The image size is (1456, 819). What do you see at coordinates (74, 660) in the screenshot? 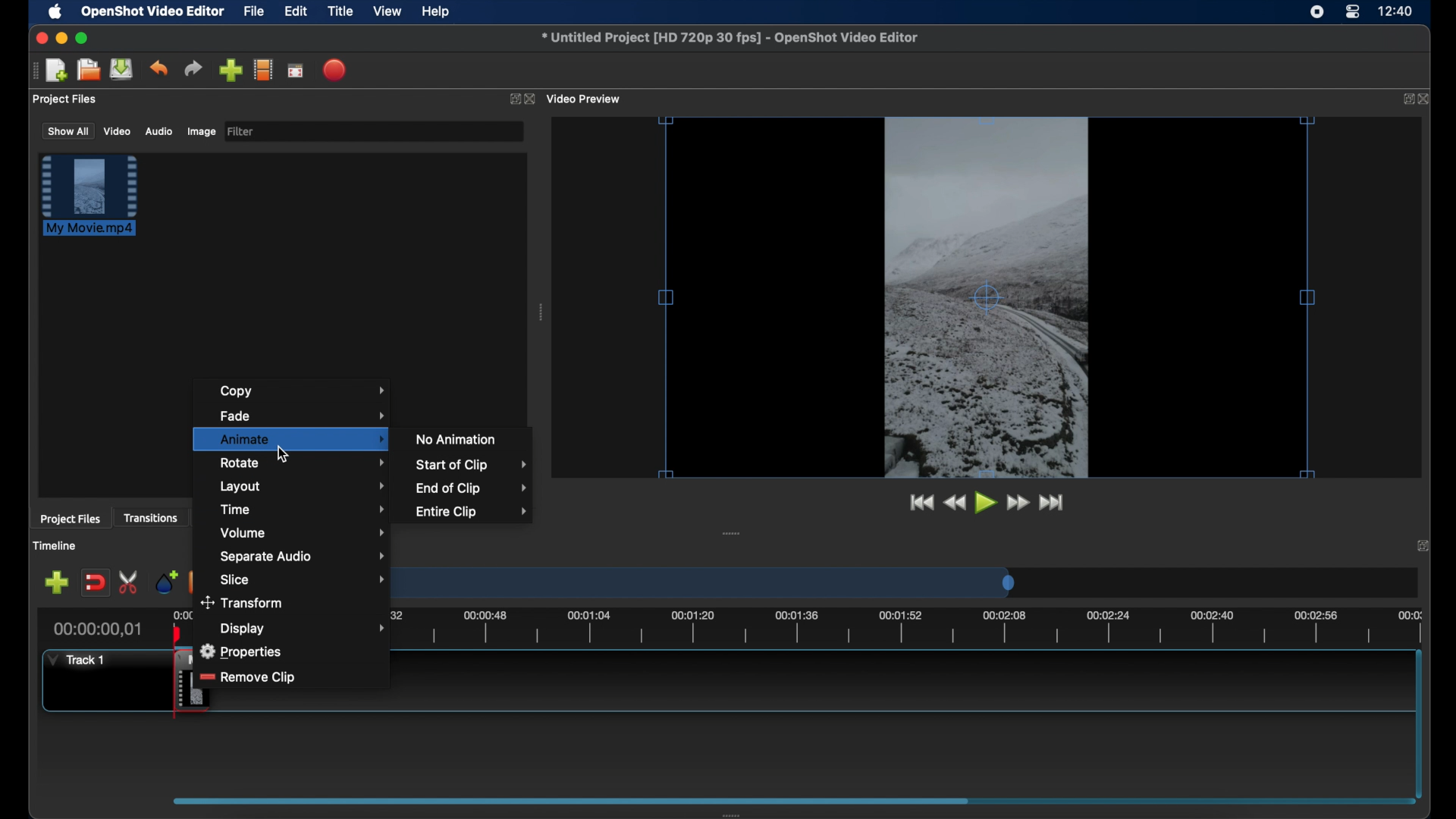
I see `track 1` at bounding box center [74, 660].